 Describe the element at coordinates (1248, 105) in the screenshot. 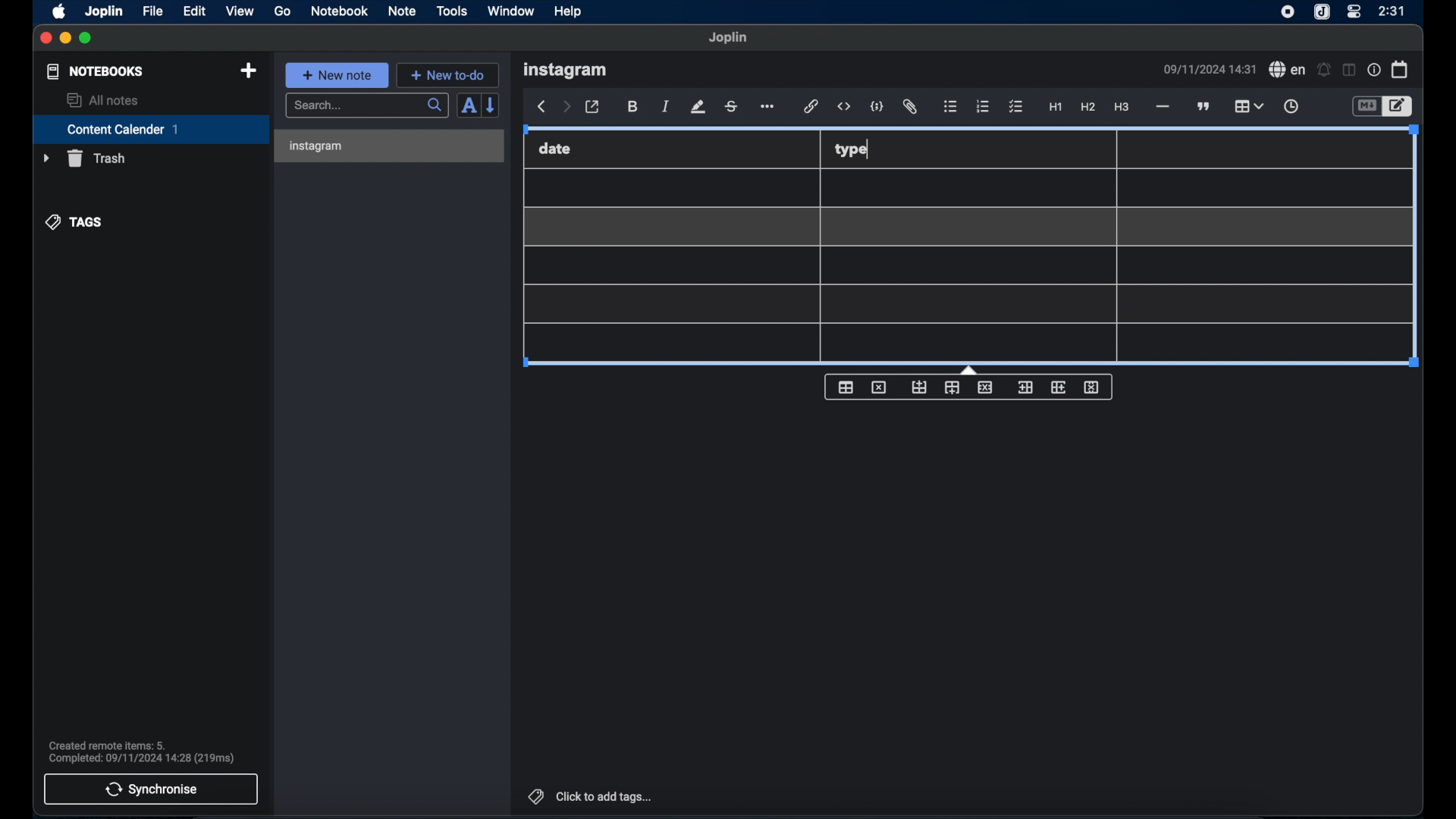

I see `table highlighted` at that location.